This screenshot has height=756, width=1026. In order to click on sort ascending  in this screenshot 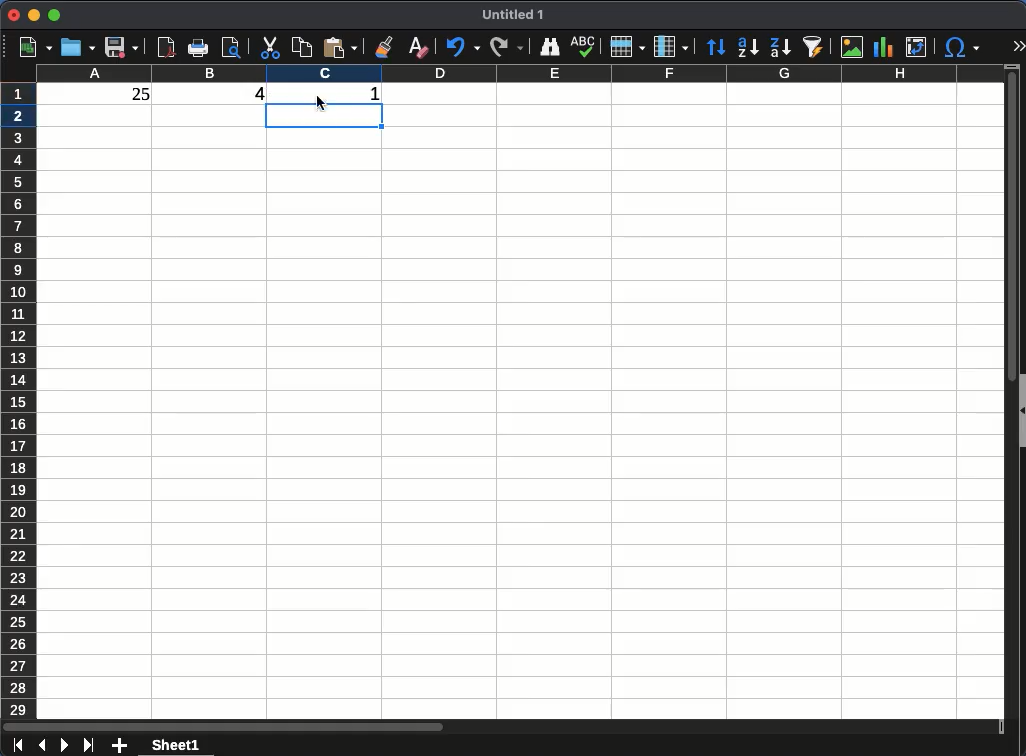, I will do `click(748, 49)`.